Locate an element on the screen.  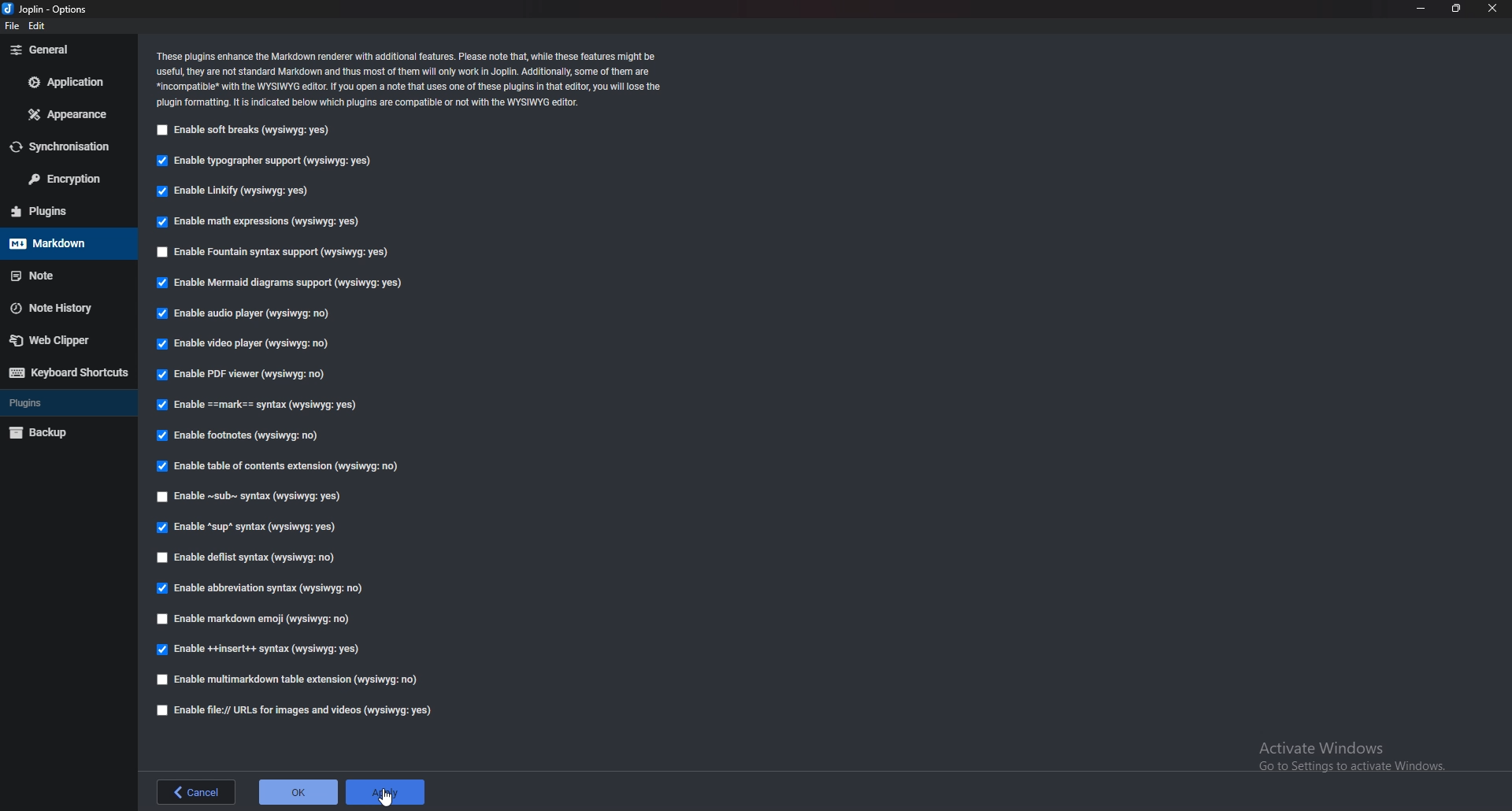
note history is located at coordinates (62, 308).